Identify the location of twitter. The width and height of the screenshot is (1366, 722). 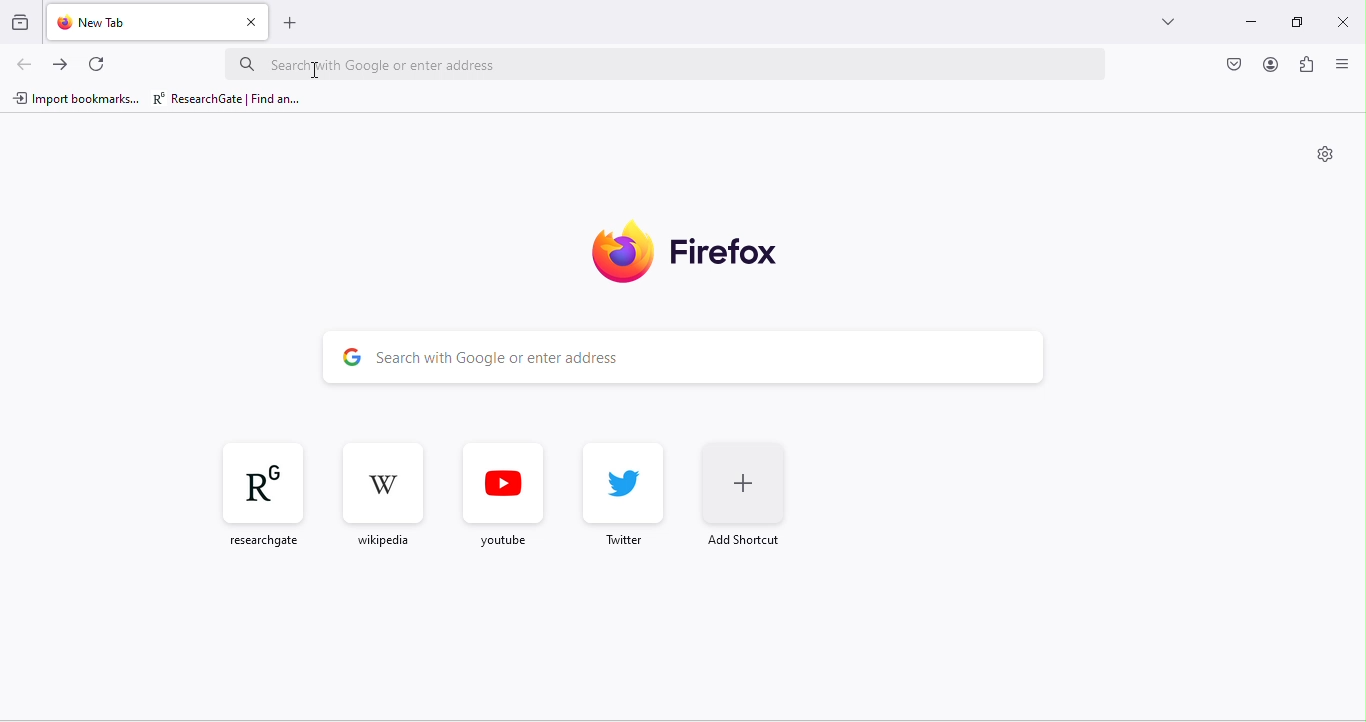
(616, 493).